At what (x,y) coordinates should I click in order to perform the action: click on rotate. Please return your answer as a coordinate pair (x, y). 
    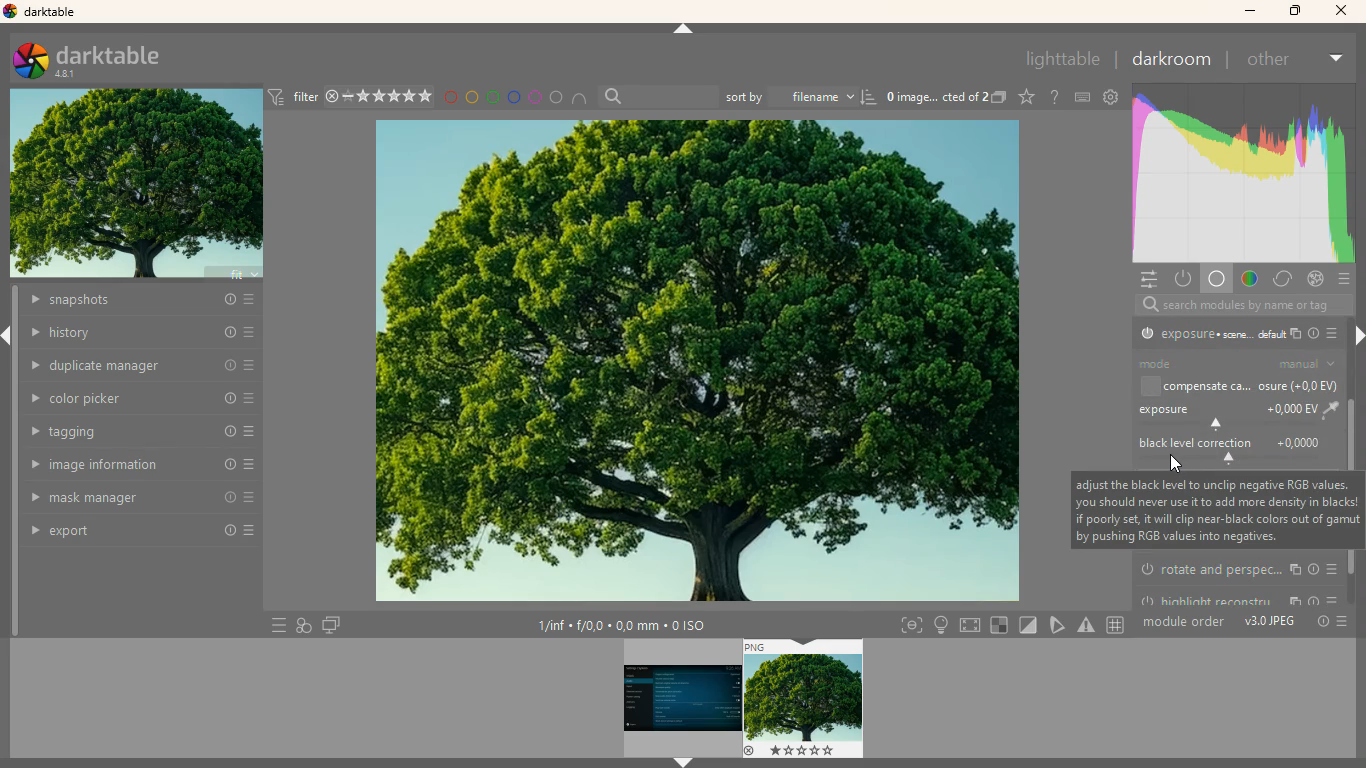
    Looking at the image, I should click on (1240, 570).